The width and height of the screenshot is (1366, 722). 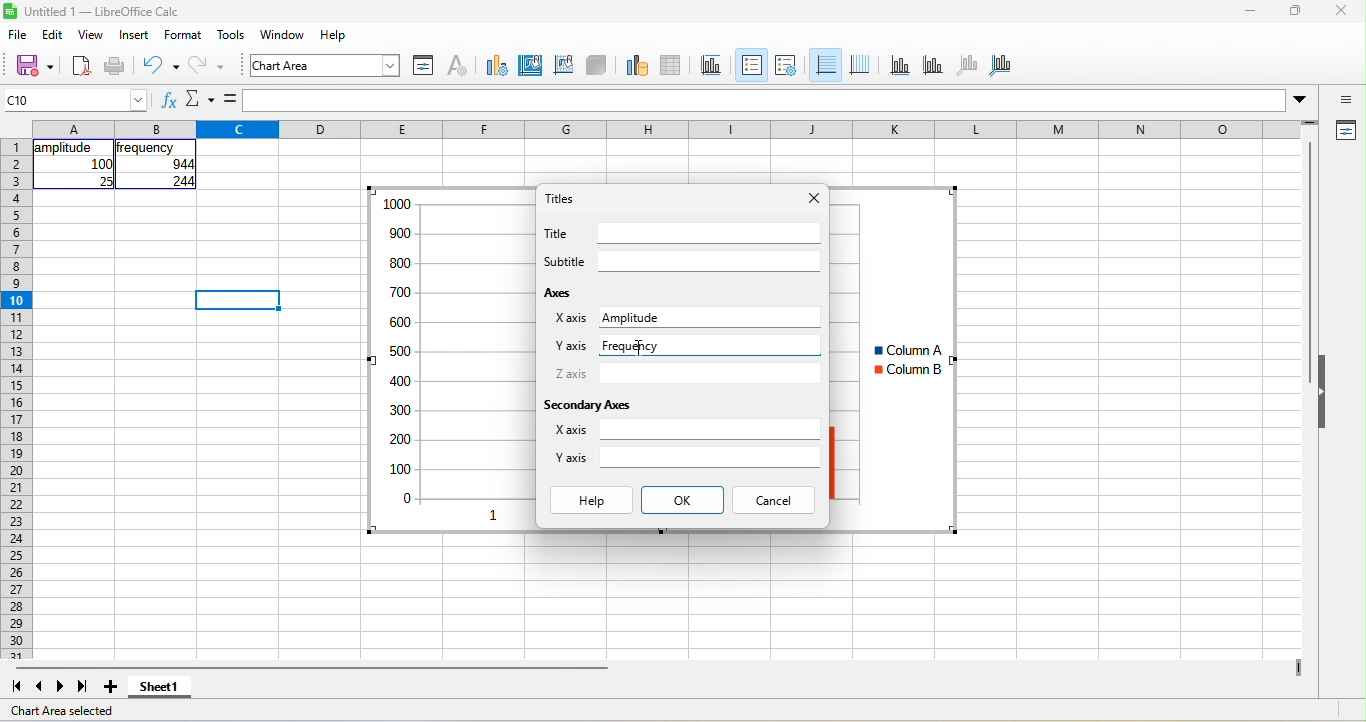 What do you see at coordinates (134, 34) in the screenshot?
I see `insert` at bounding box center [134, 34].